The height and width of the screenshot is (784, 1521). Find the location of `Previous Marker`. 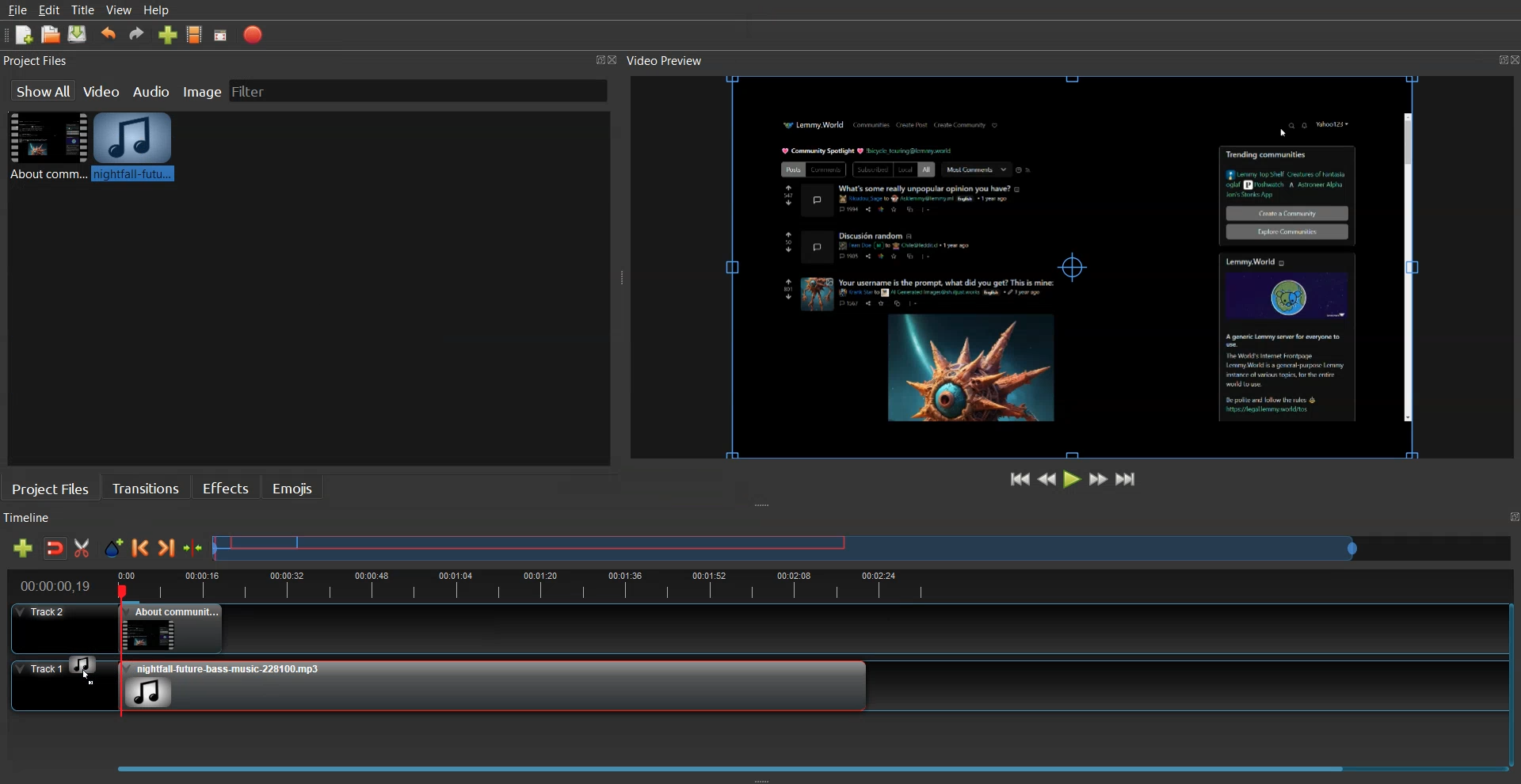

Previous Marker is located at coordinates (140, 547).